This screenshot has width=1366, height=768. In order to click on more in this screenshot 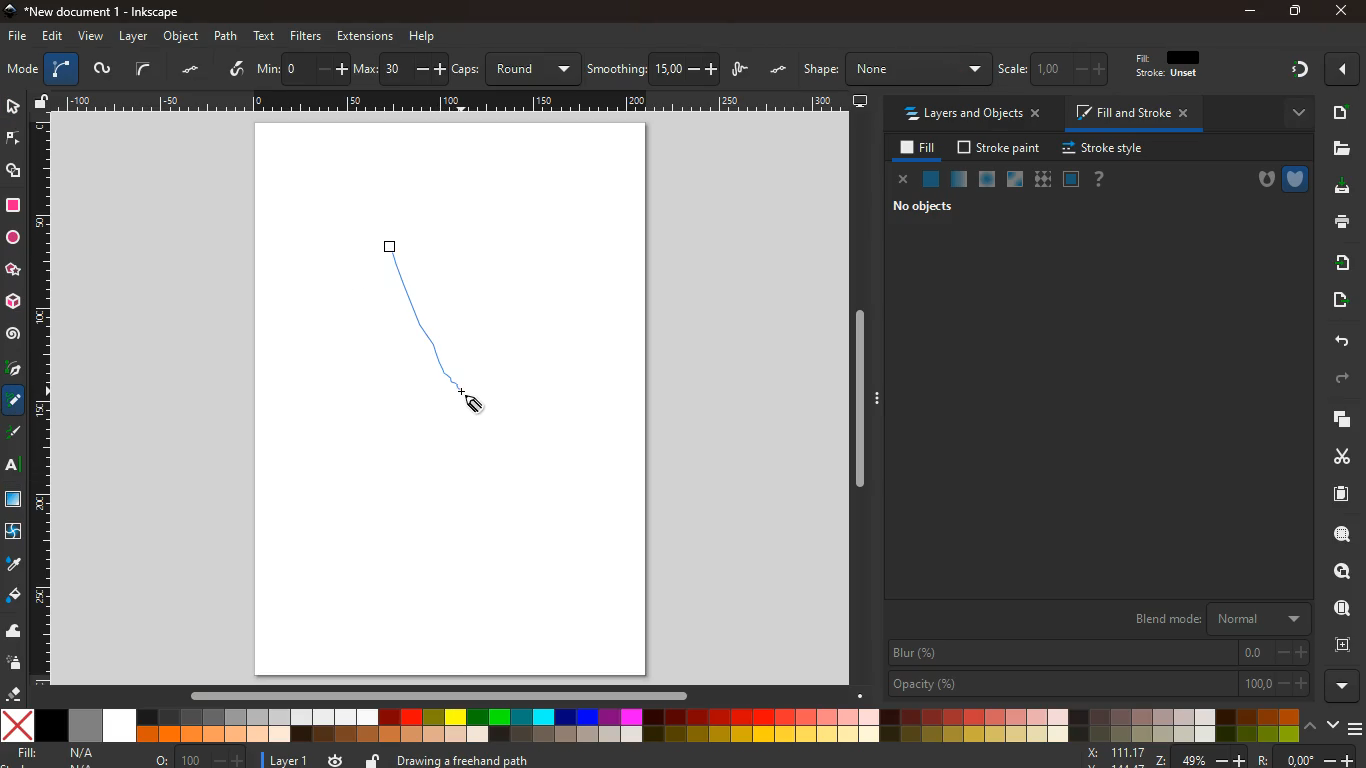, I will do `click(1343, 686)`.